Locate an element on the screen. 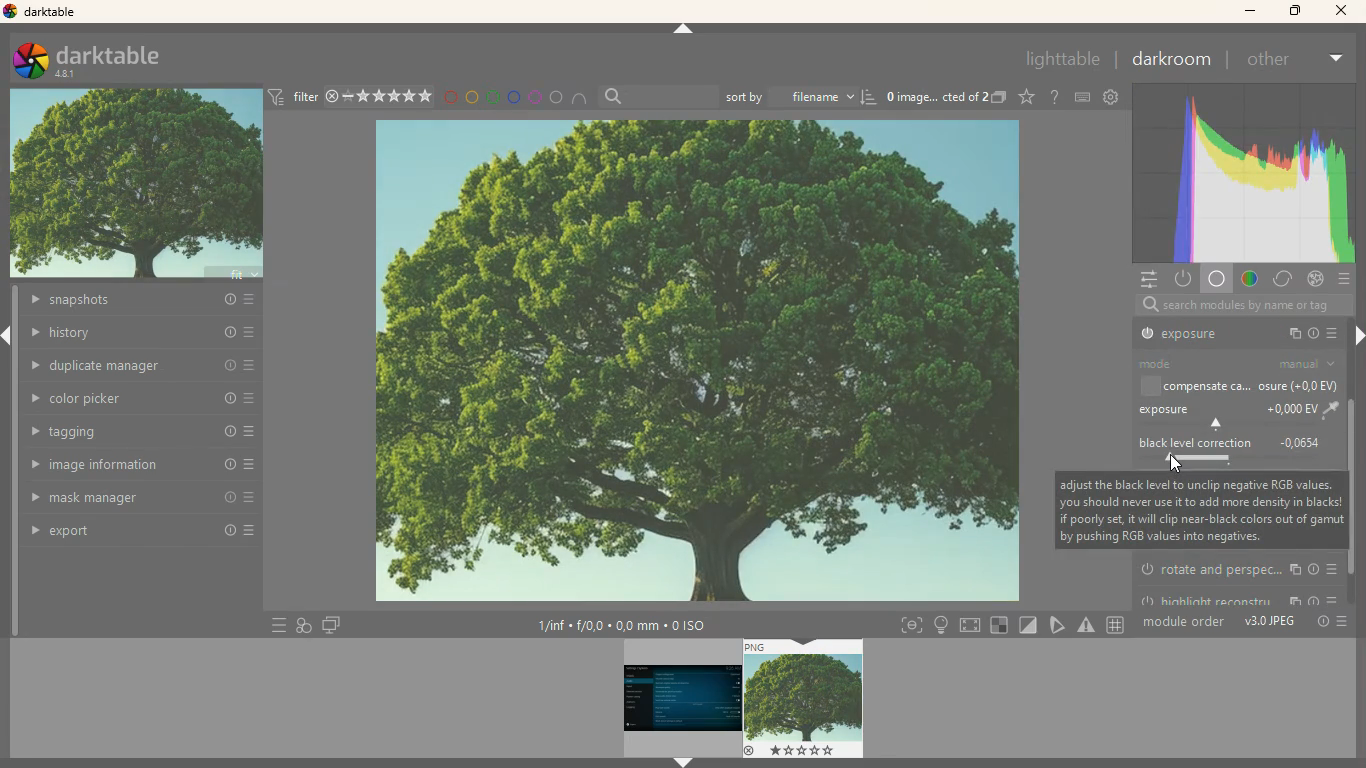 This screenshot has width=1366, height=768. image information is located at coordinates (139, 466).